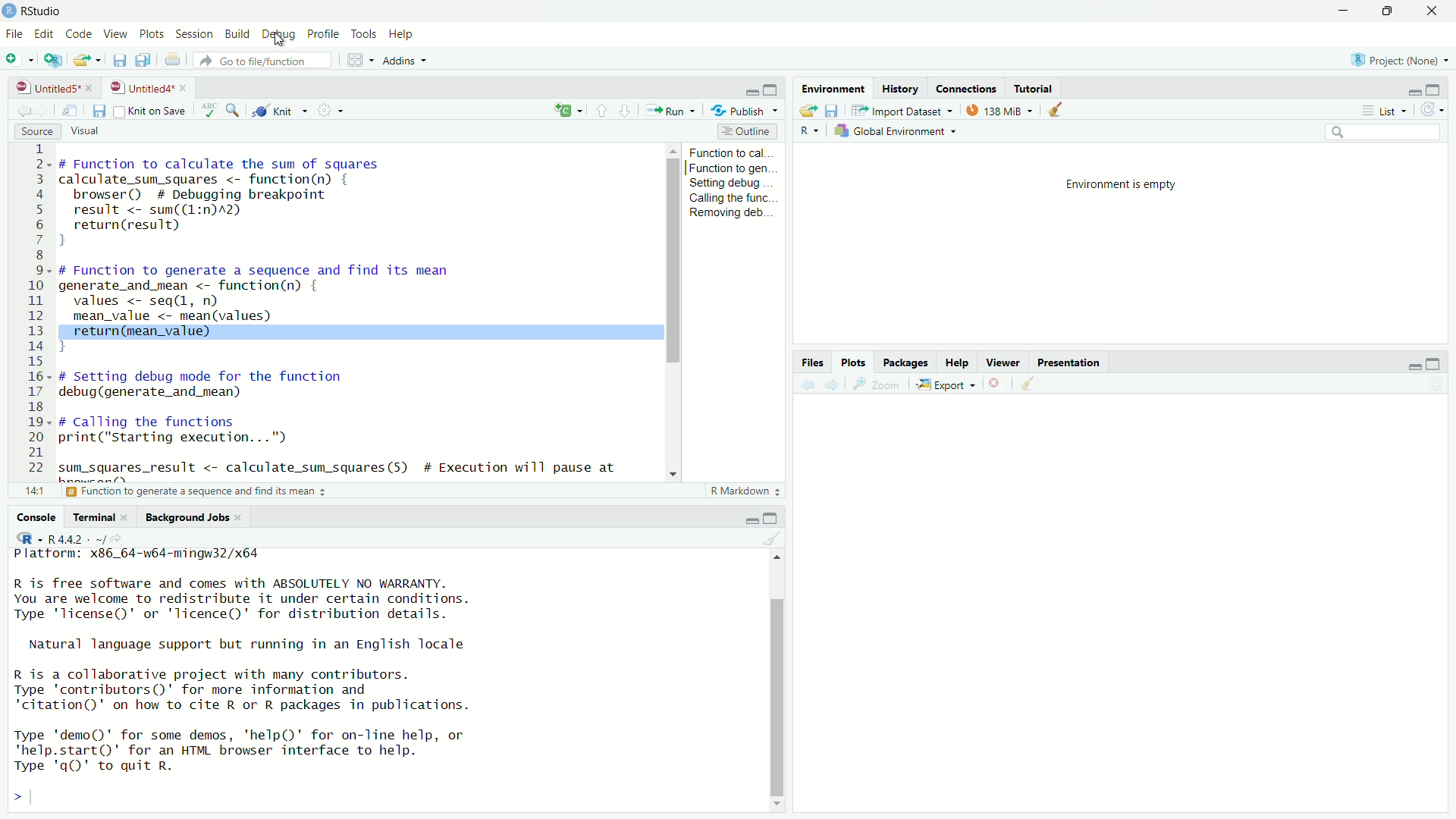 The height and width of the screenshot is (819, 1456). What do you see at coordinates (153, 33) in the screenshot?
I see `plots` at bounding box center [153, 33].